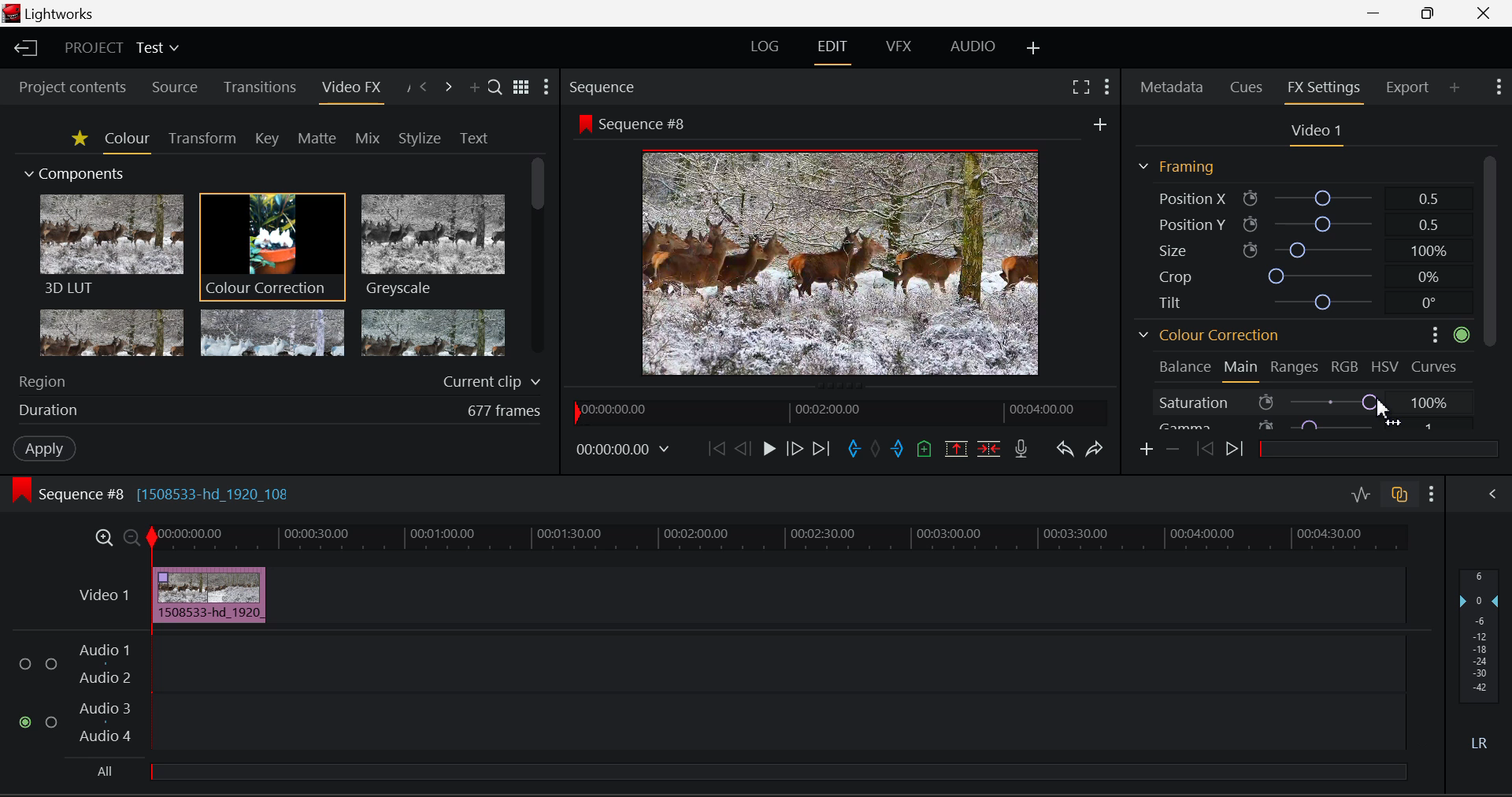 This screenshot has width=1512, height=797. I want to click on Cursor MOUSE_DOWN on Colour Correction, so click(272, 246).